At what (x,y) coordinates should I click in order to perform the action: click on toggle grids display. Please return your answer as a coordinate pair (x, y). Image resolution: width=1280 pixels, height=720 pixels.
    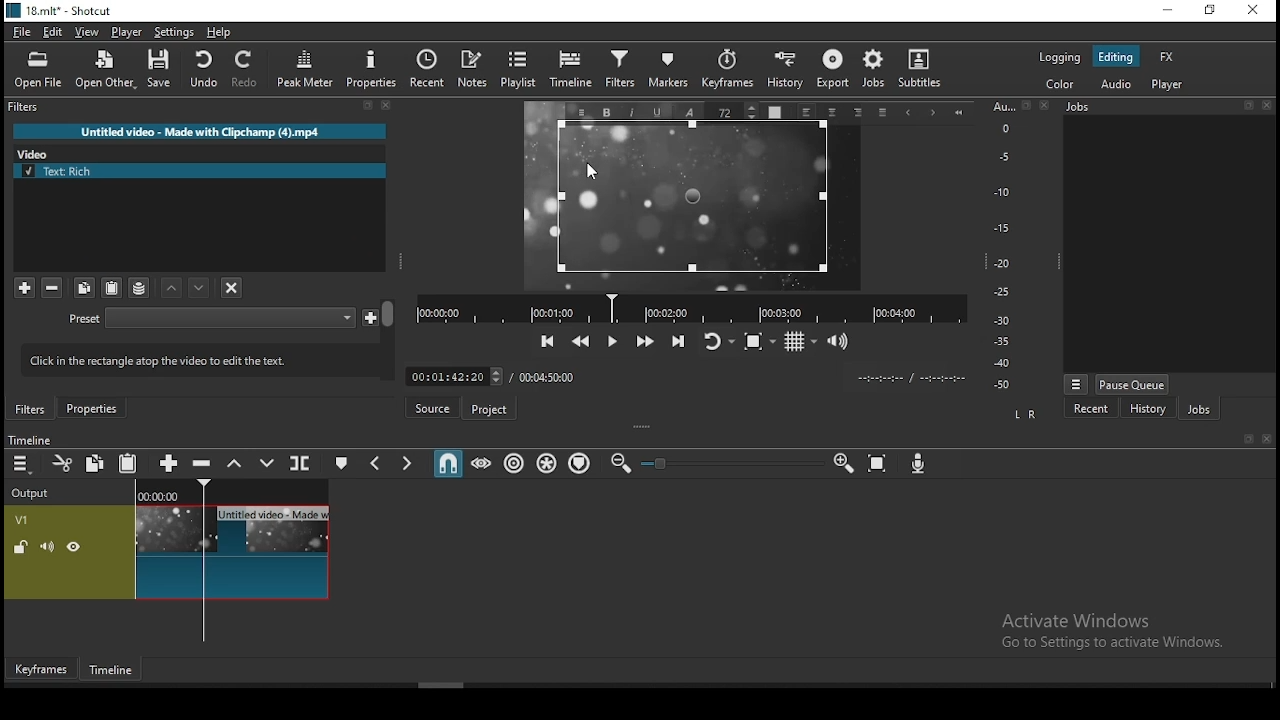
    Looking at the image, I should click on (799, 342).